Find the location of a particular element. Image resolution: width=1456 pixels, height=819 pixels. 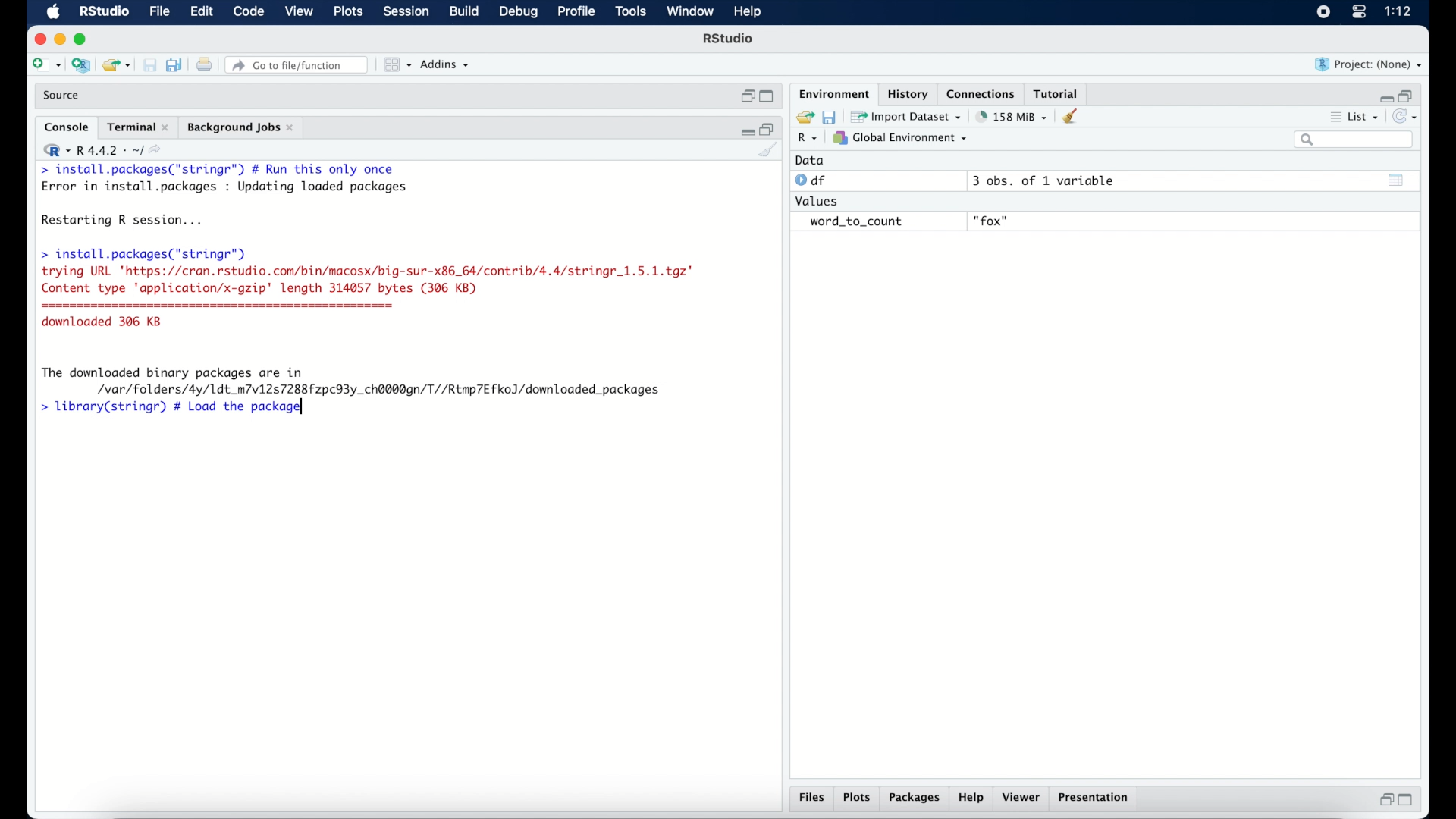

debug is located at coordinates (519, 13).